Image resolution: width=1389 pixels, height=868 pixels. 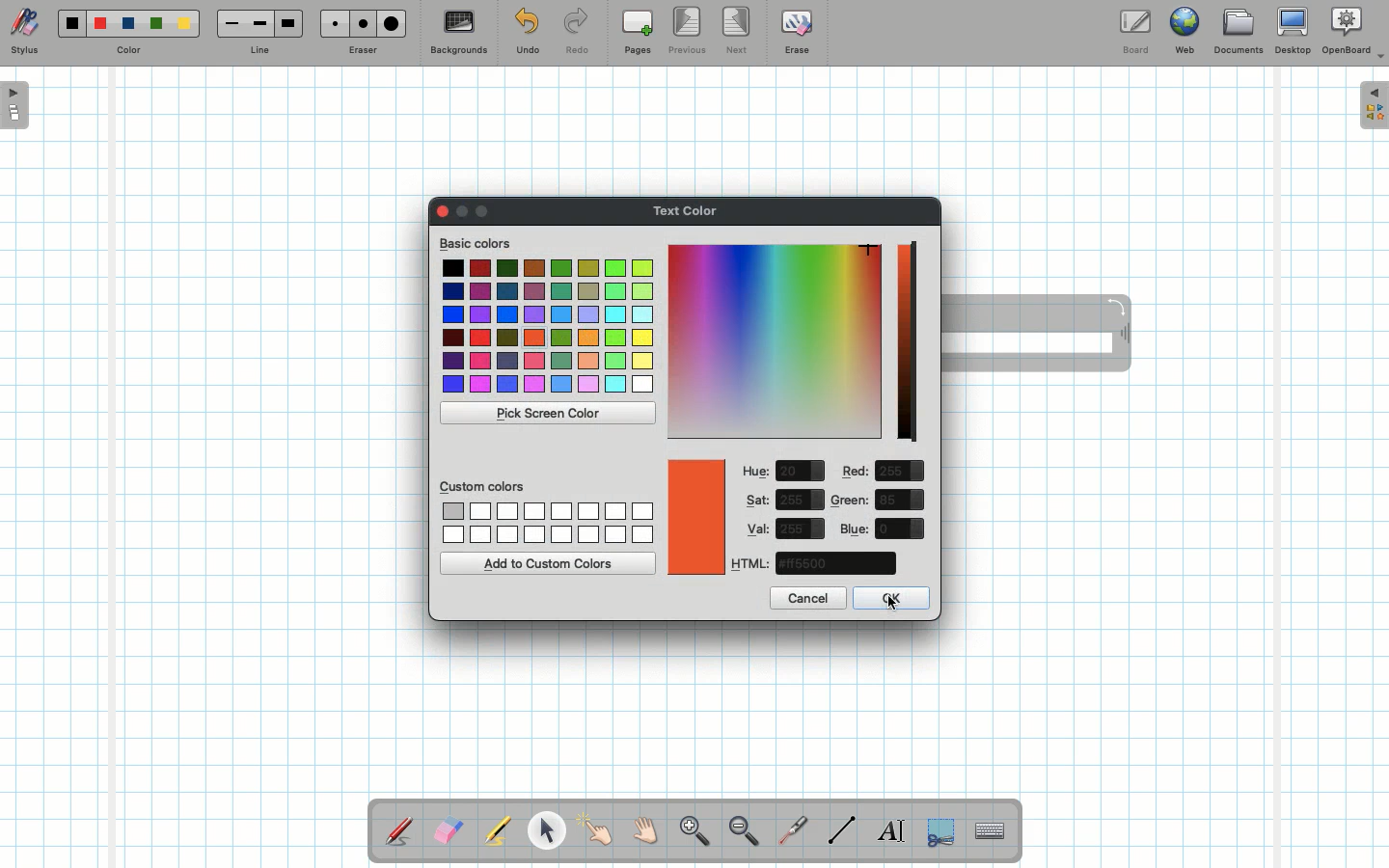 What do you see at coordinates (991, 826) in the screenshot?
I see `Text input` at bounding box center [991, 826].